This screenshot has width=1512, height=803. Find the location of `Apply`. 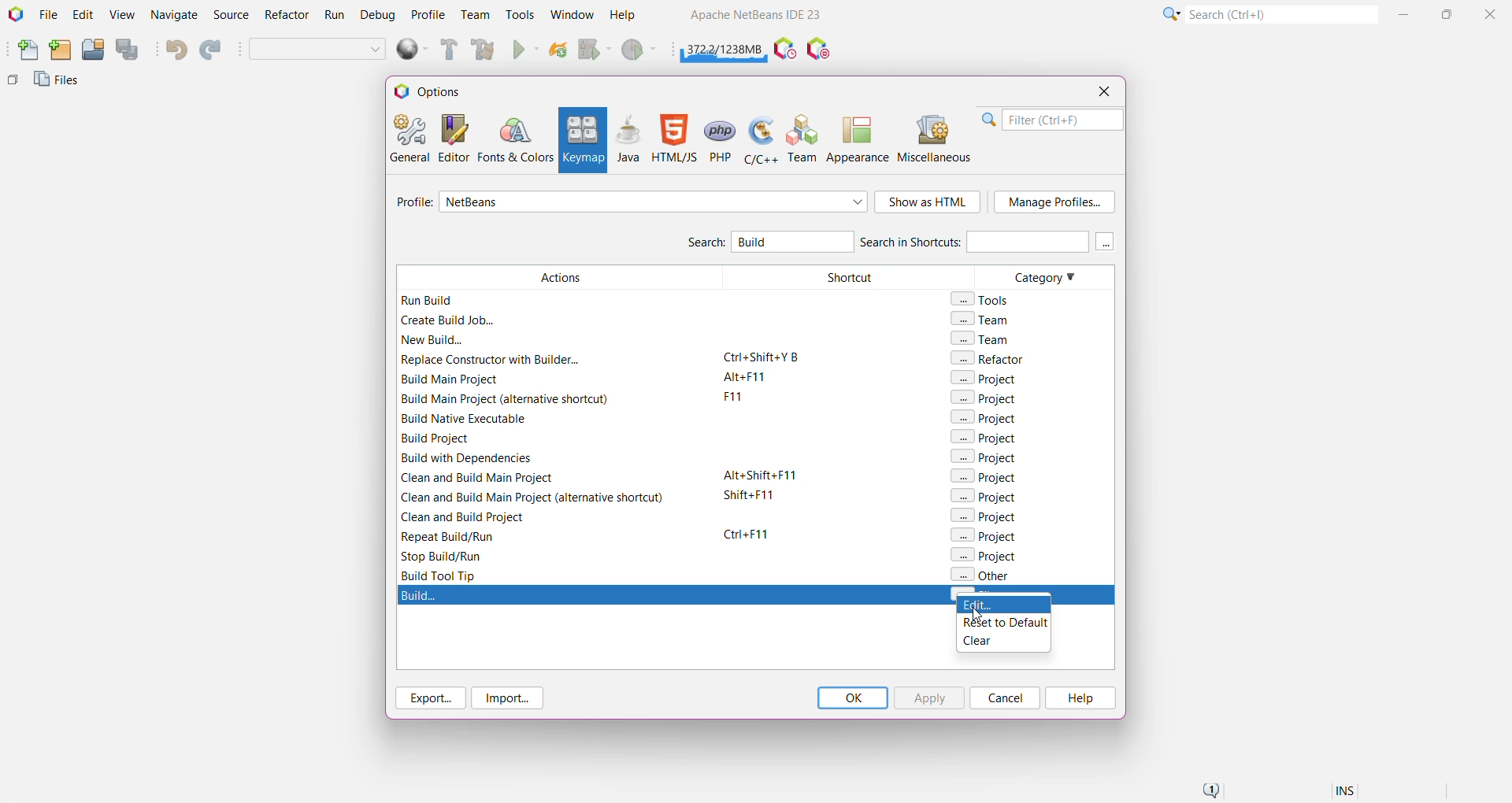

Apply is located at coordinates (928, 698).